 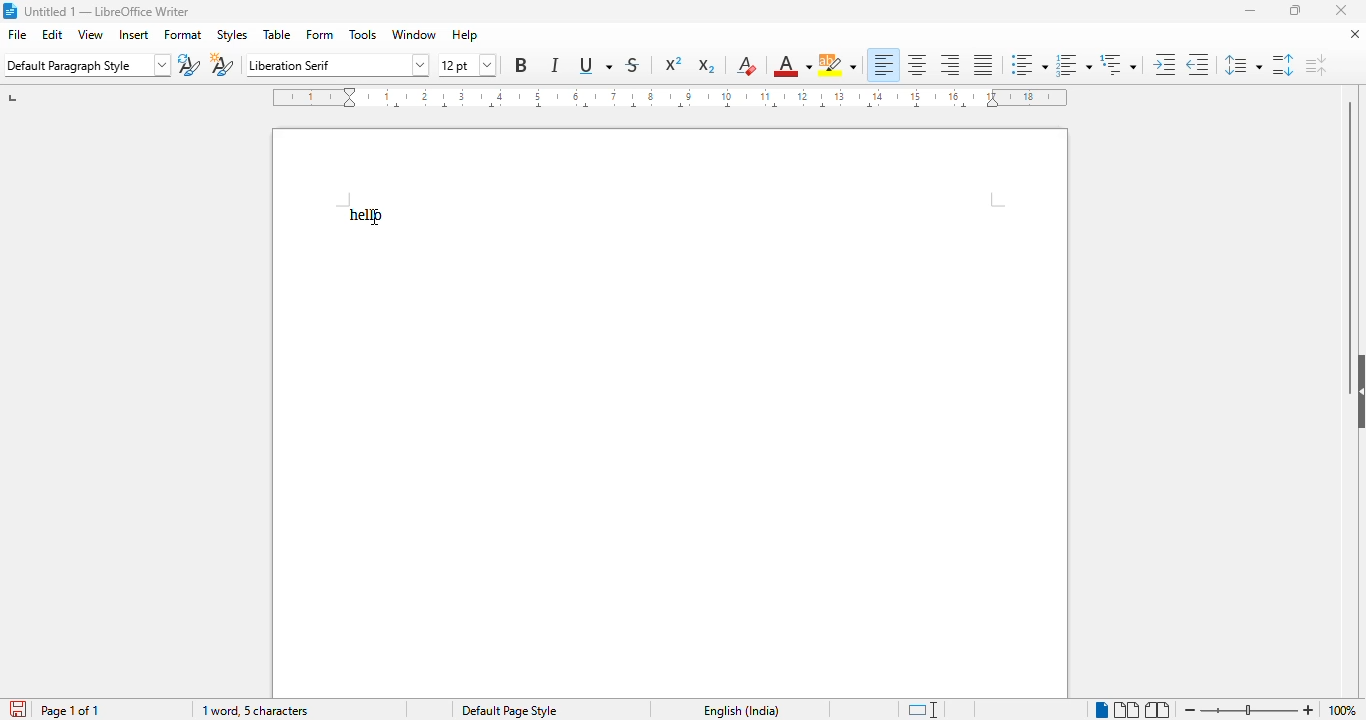 I want to click on subscript, so click(x=705, y=65).